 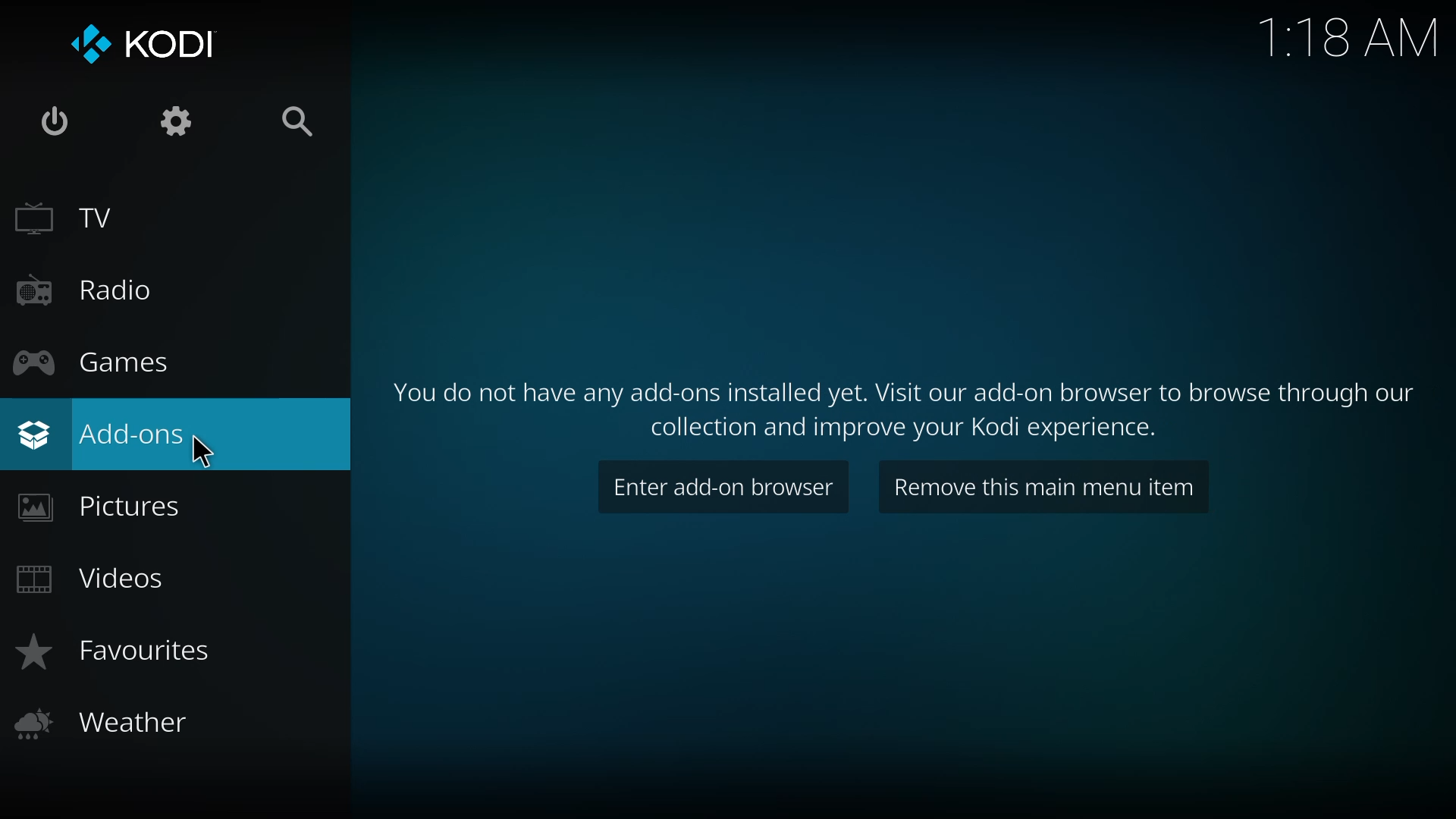 I want to click on add-ons, so click(x=105, y=434).